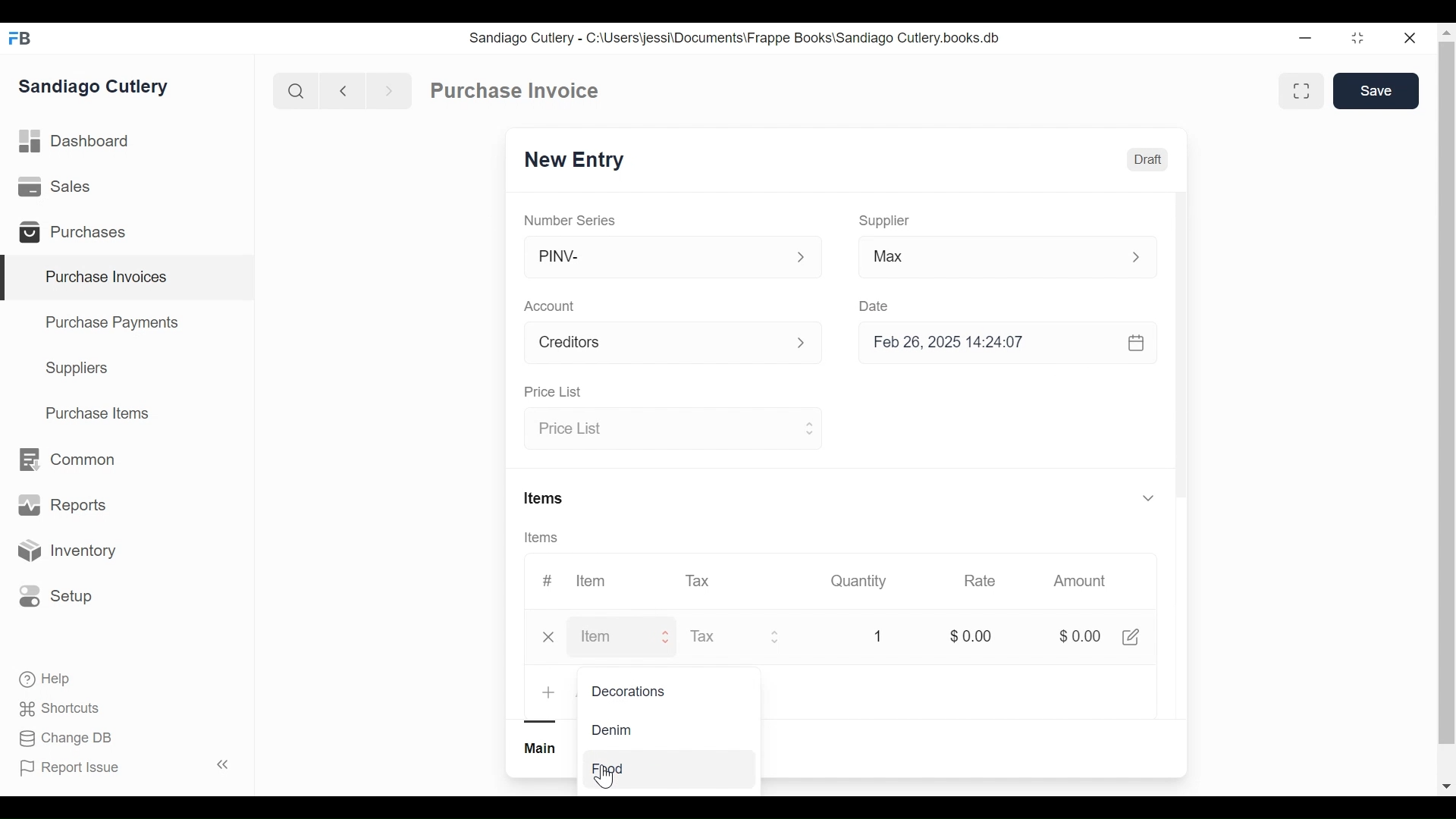  I want to click on Expand, so click(803, 344).